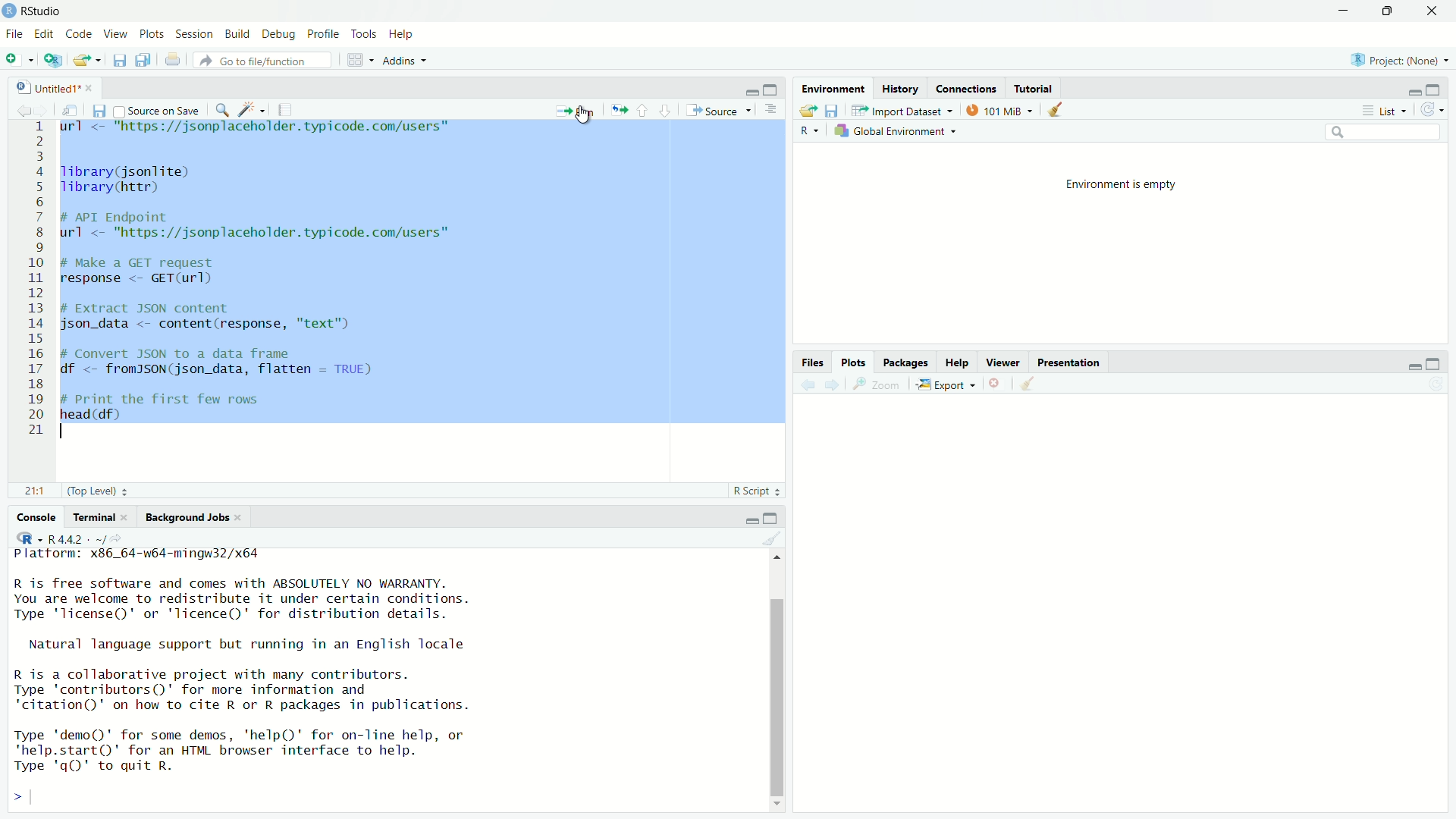 The width and height of the screenshot is (1456, 819). What do you see at coordinates (98, 491) in the screenshot?
I see `(Top Level) ` at bounding box center [98, 491].